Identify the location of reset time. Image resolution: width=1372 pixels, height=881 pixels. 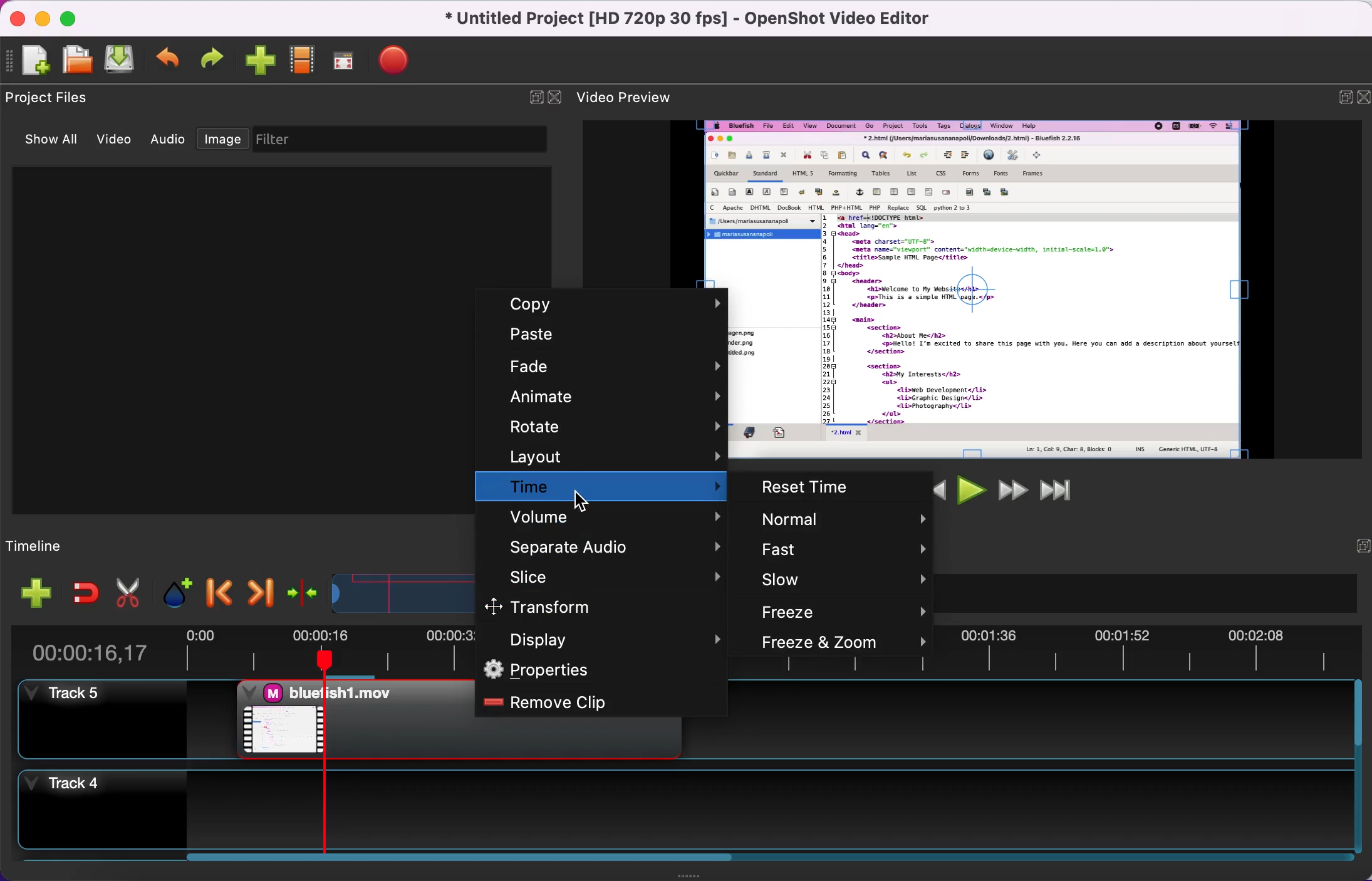
(842, 487).